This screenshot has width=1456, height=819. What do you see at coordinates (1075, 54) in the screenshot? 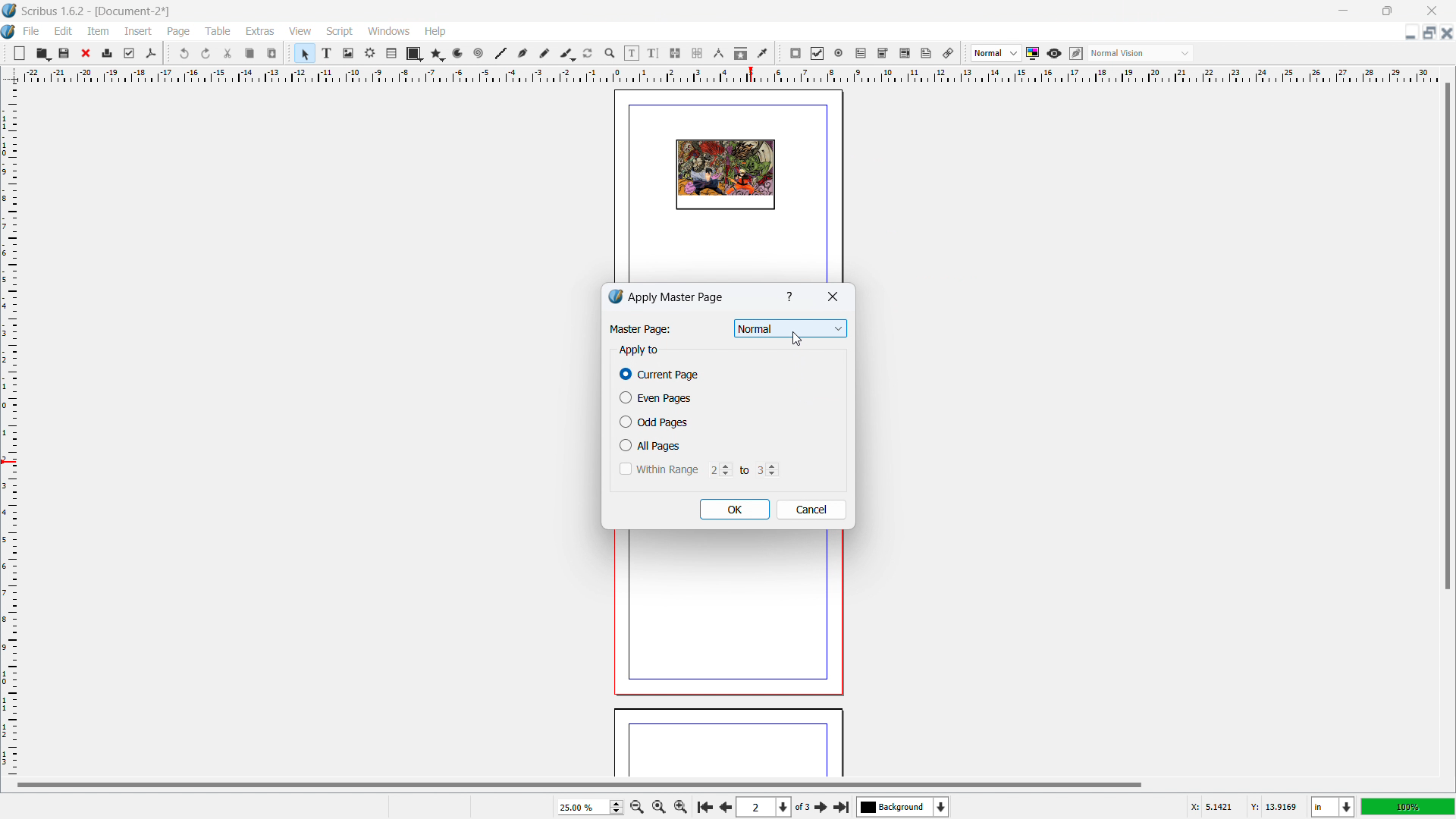
I see `edit in preview mode` at bounding box center [1075, 54].